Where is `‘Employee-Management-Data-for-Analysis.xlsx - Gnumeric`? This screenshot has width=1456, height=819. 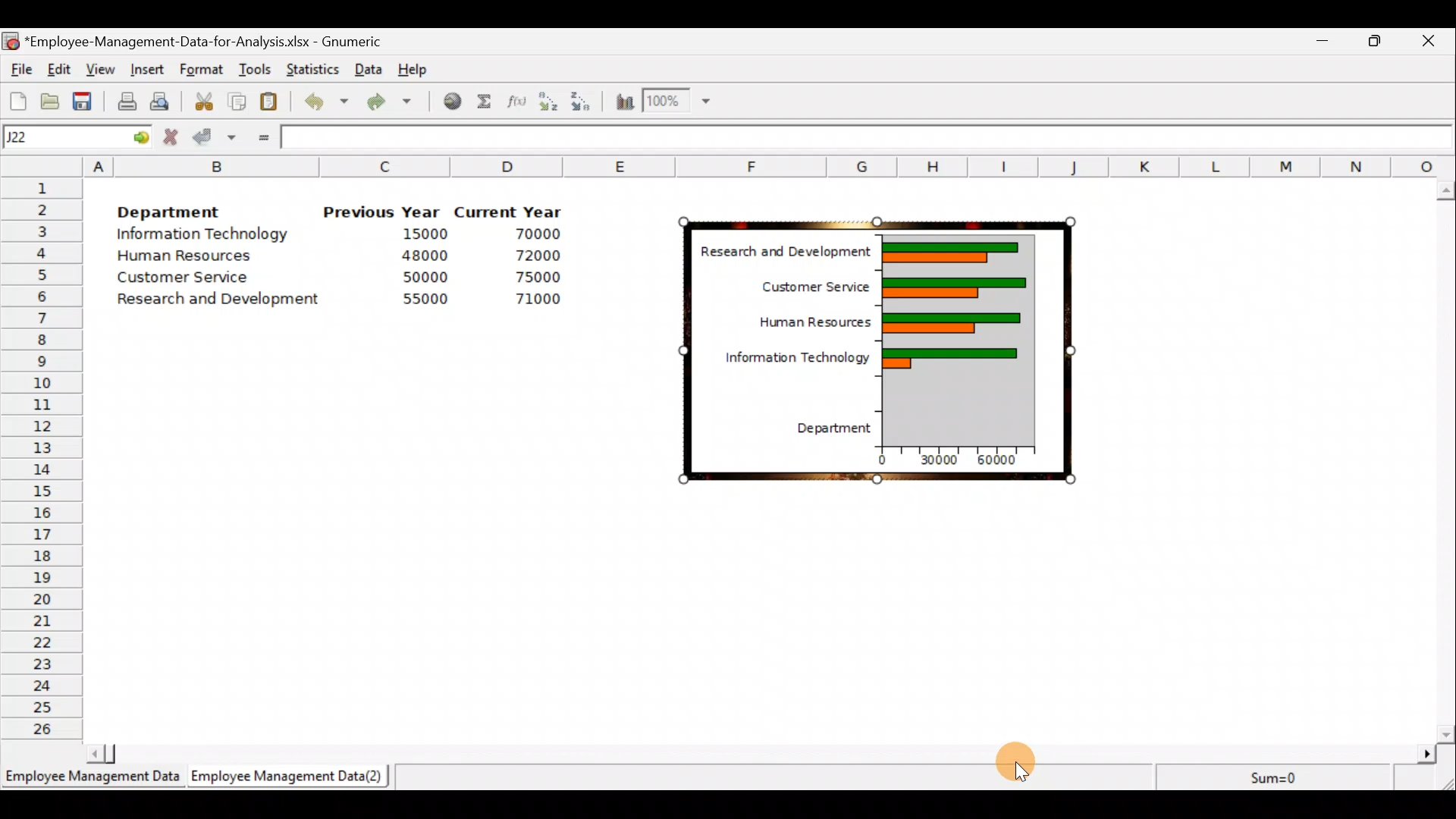
‘Employee-Management-Data-for-Analysis.xlsx - Gnumeric is located at coordinates (219, 42).